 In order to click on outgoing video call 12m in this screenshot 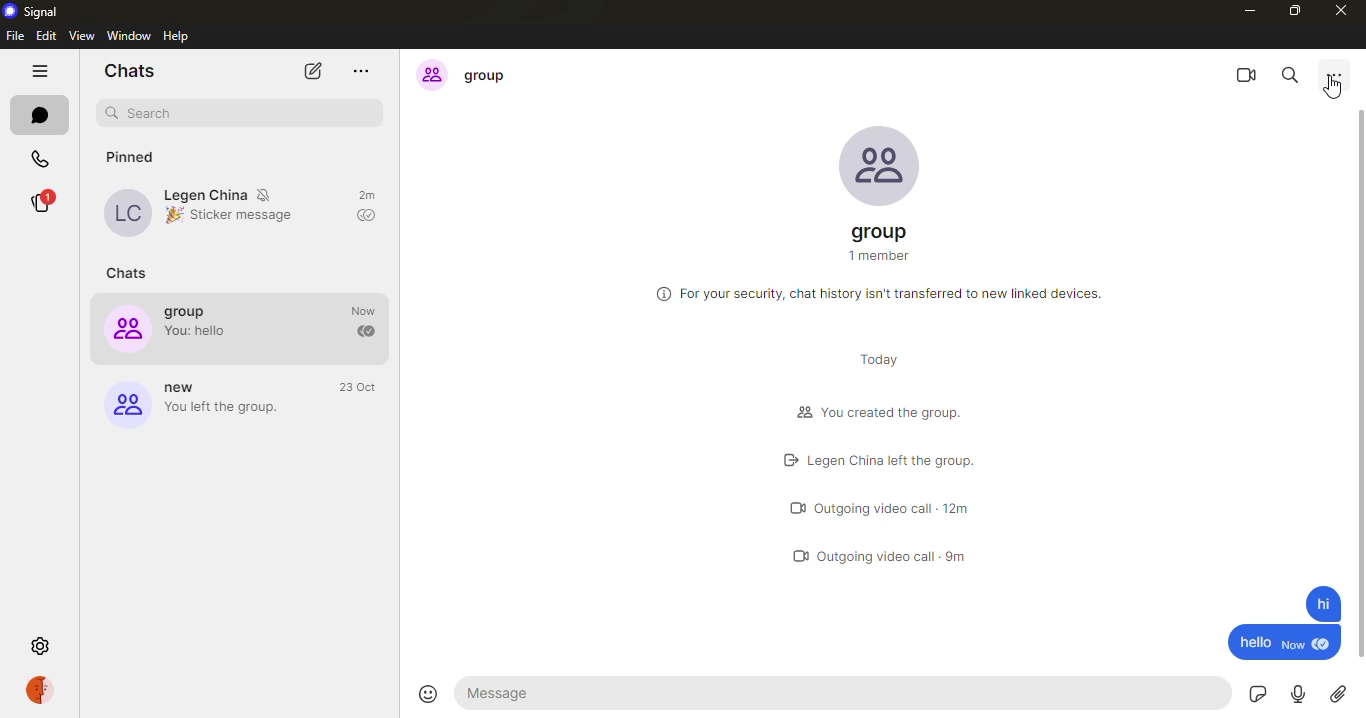, I will do `click(896, 508)`.